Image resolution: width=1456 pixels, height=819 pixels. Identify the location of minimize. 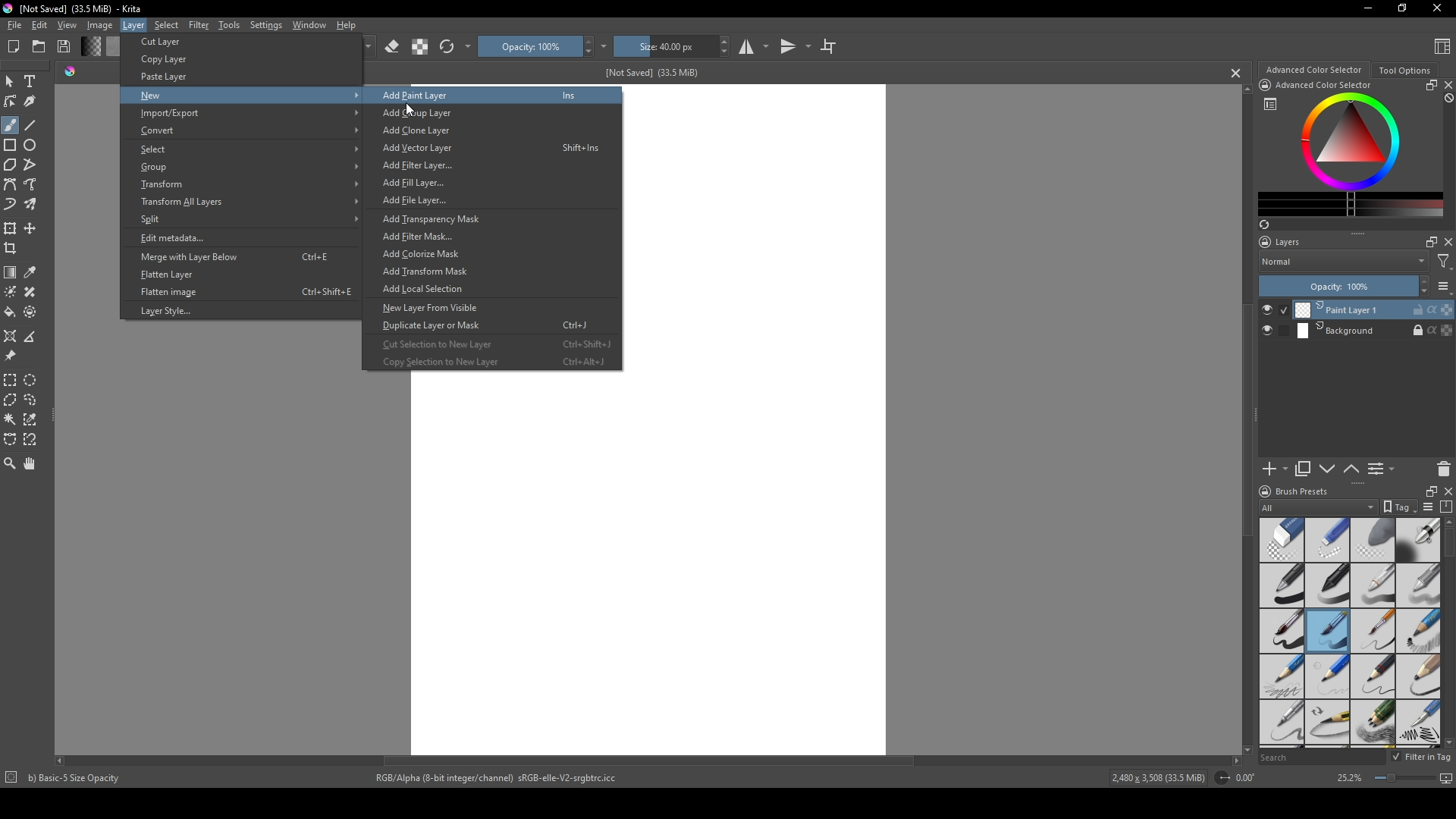
(1369, 8).